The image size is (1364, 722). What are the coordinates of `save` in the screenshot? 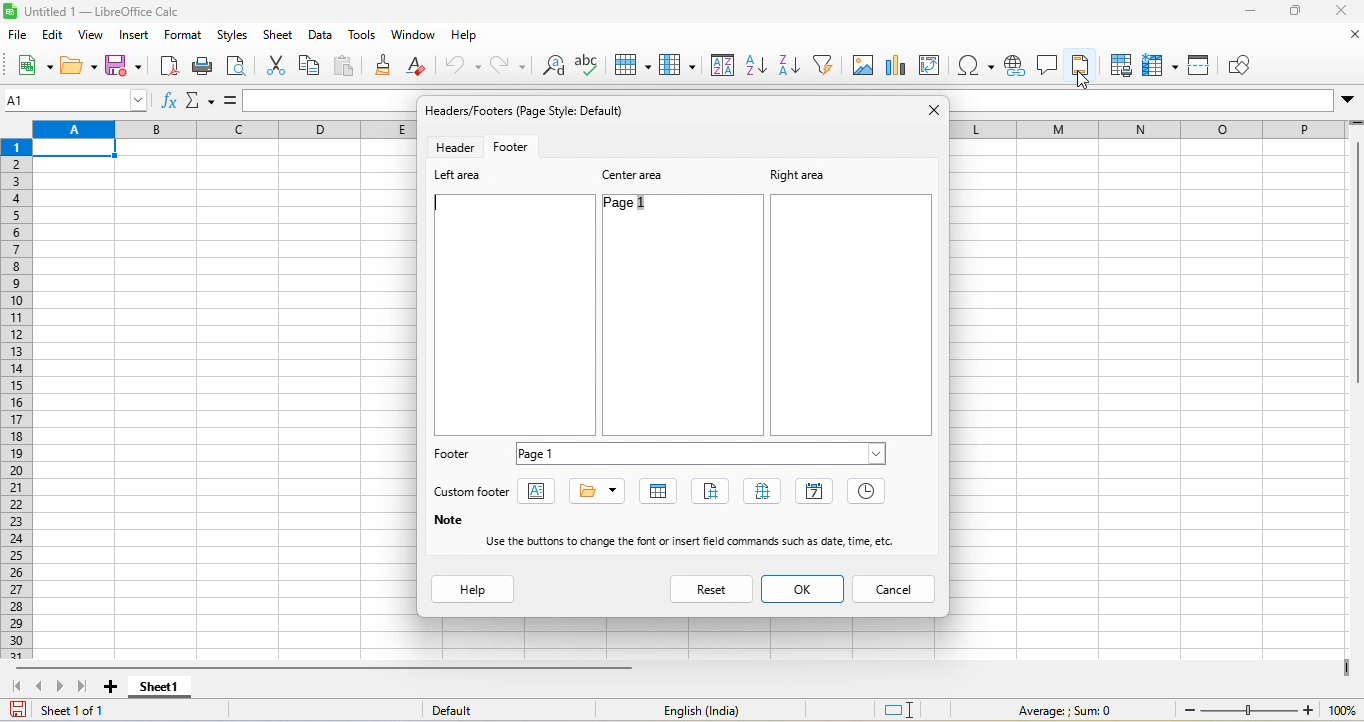 It's located at (123, 67).